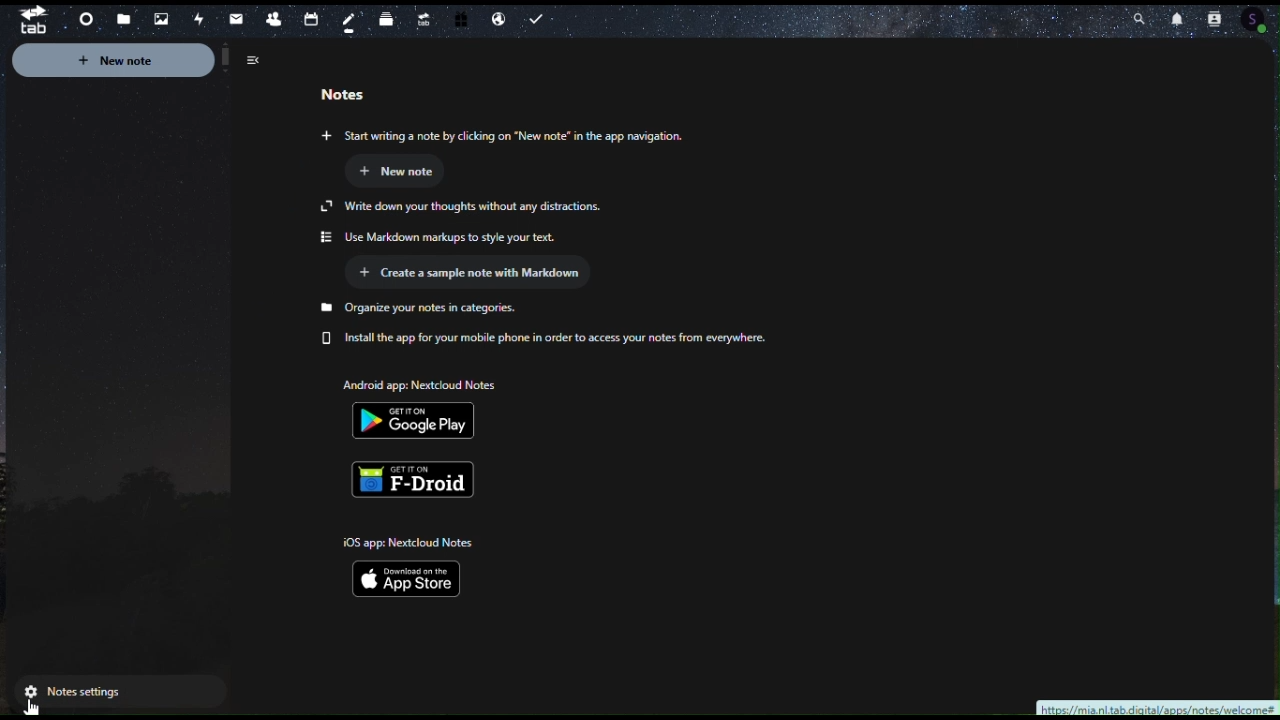 The image size is (1280, 720). What do you see at coordinates (34, 706) in the screenshot?
I see `cursor` at bounding box center [34, 706].